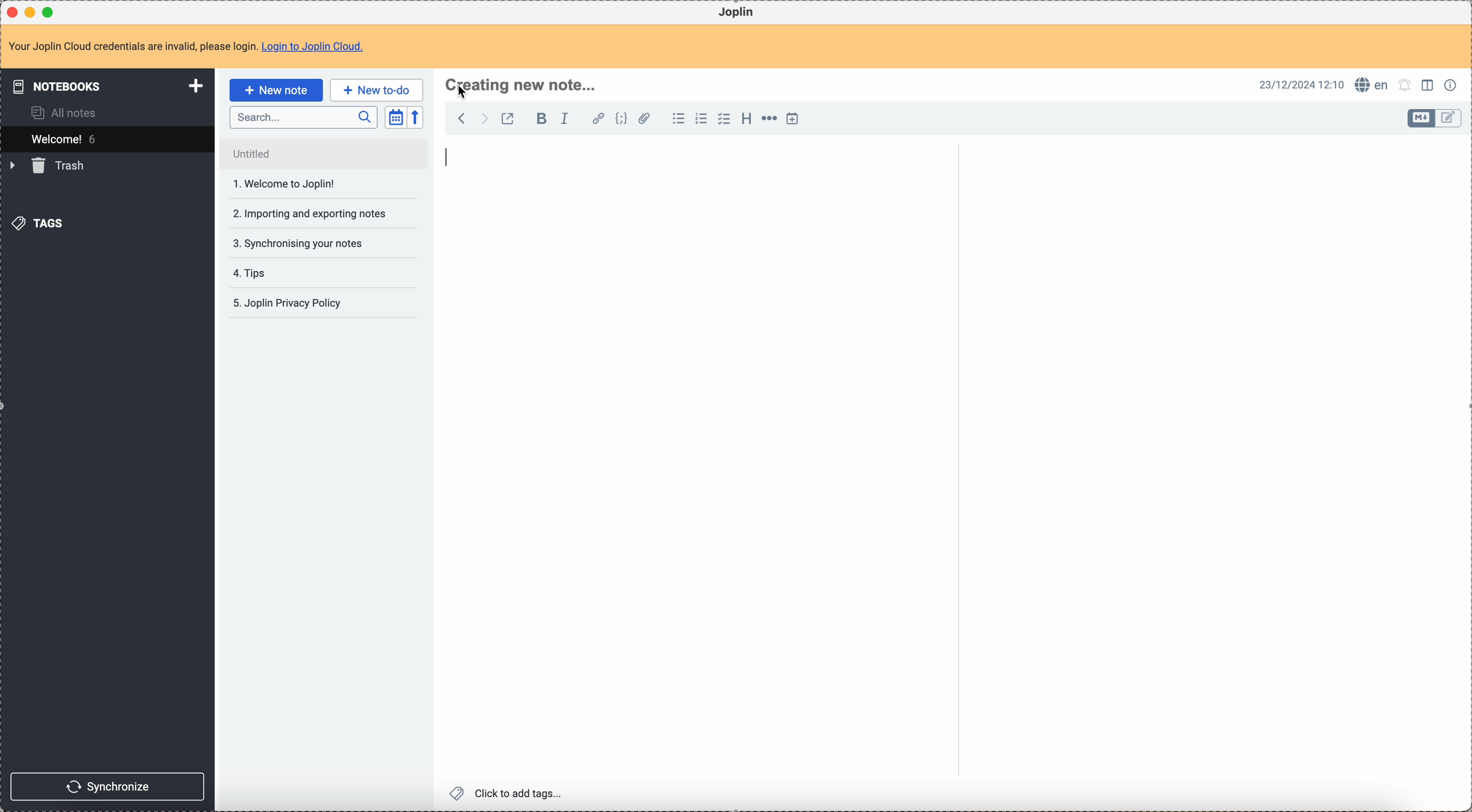  I want to click on Cursor, so click(464, 92).